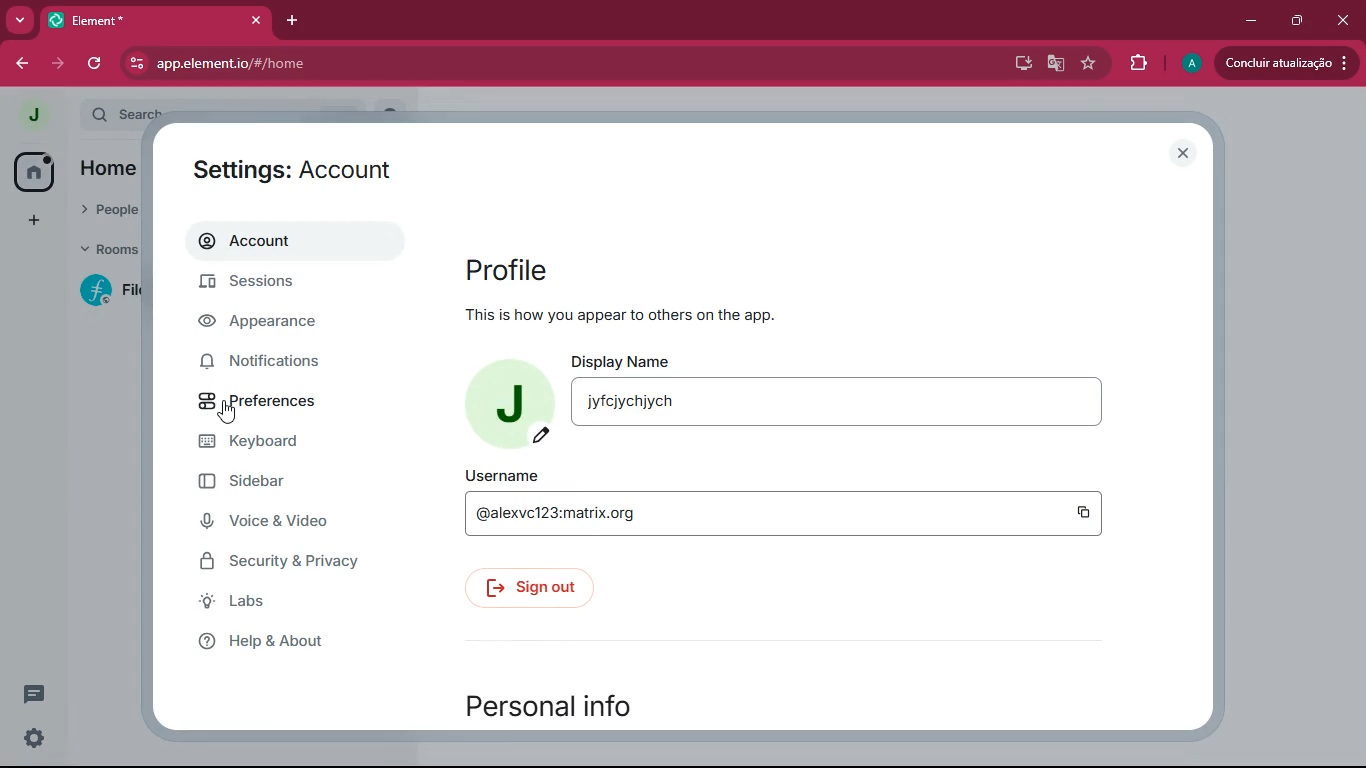  Describe the element at coordinates (289, 647) in the screenshot. I see `help` at that location.